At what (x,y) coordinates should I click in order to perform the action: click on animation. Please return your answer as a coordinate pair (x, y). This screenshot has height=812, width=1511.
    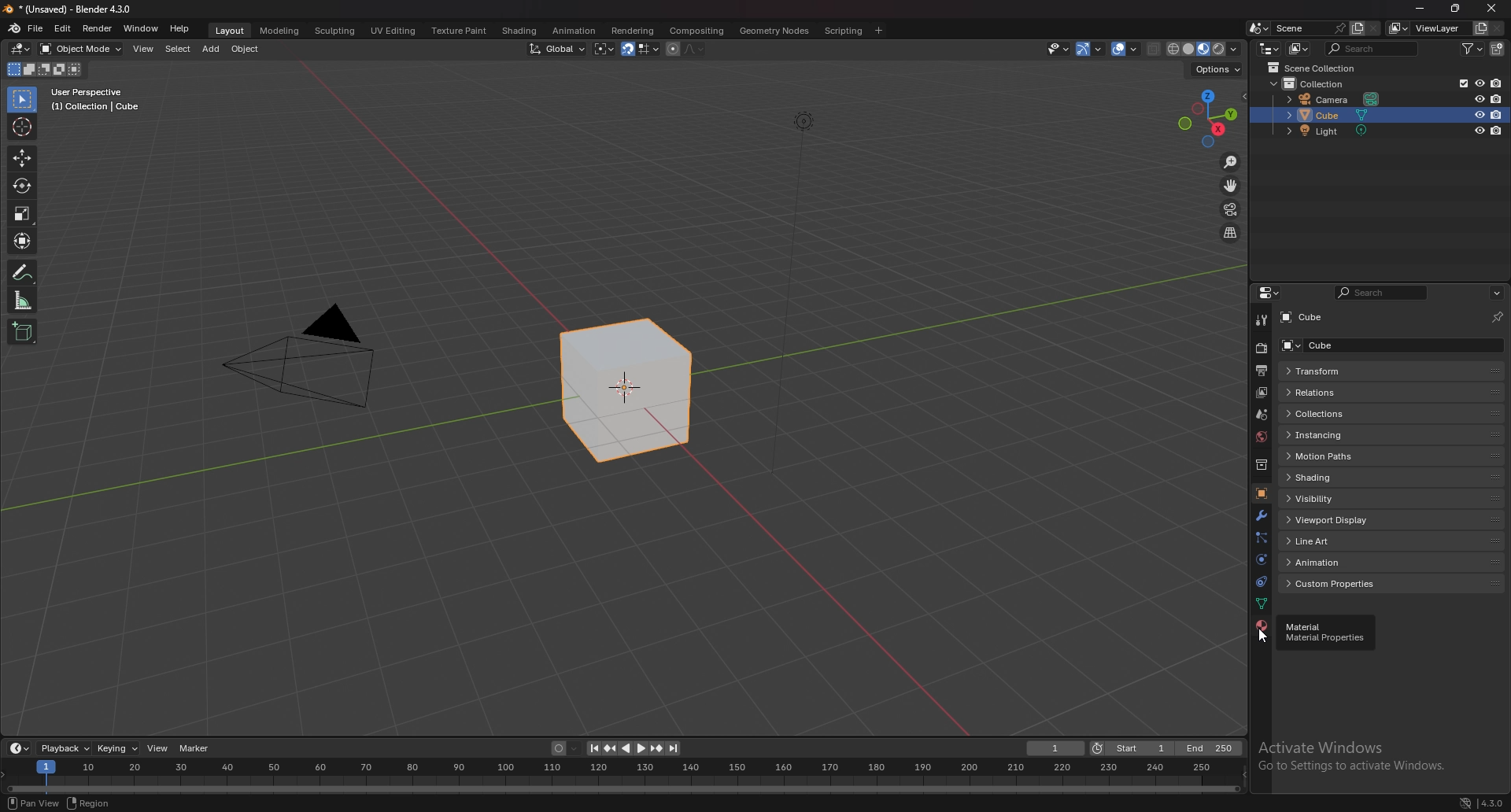
    Looking at the image, I should click on (573, 31).